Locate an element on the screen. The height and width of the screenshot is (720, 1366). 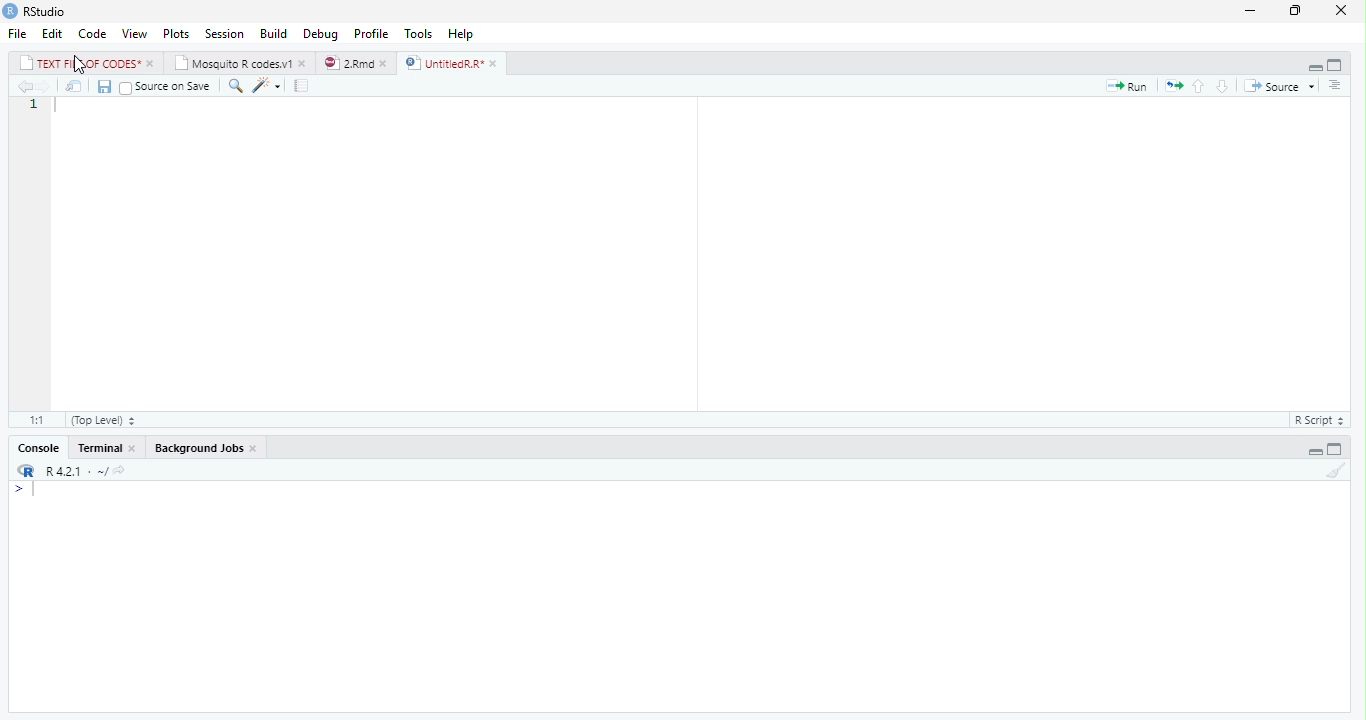
Line number is located at coordinates (29, 106).